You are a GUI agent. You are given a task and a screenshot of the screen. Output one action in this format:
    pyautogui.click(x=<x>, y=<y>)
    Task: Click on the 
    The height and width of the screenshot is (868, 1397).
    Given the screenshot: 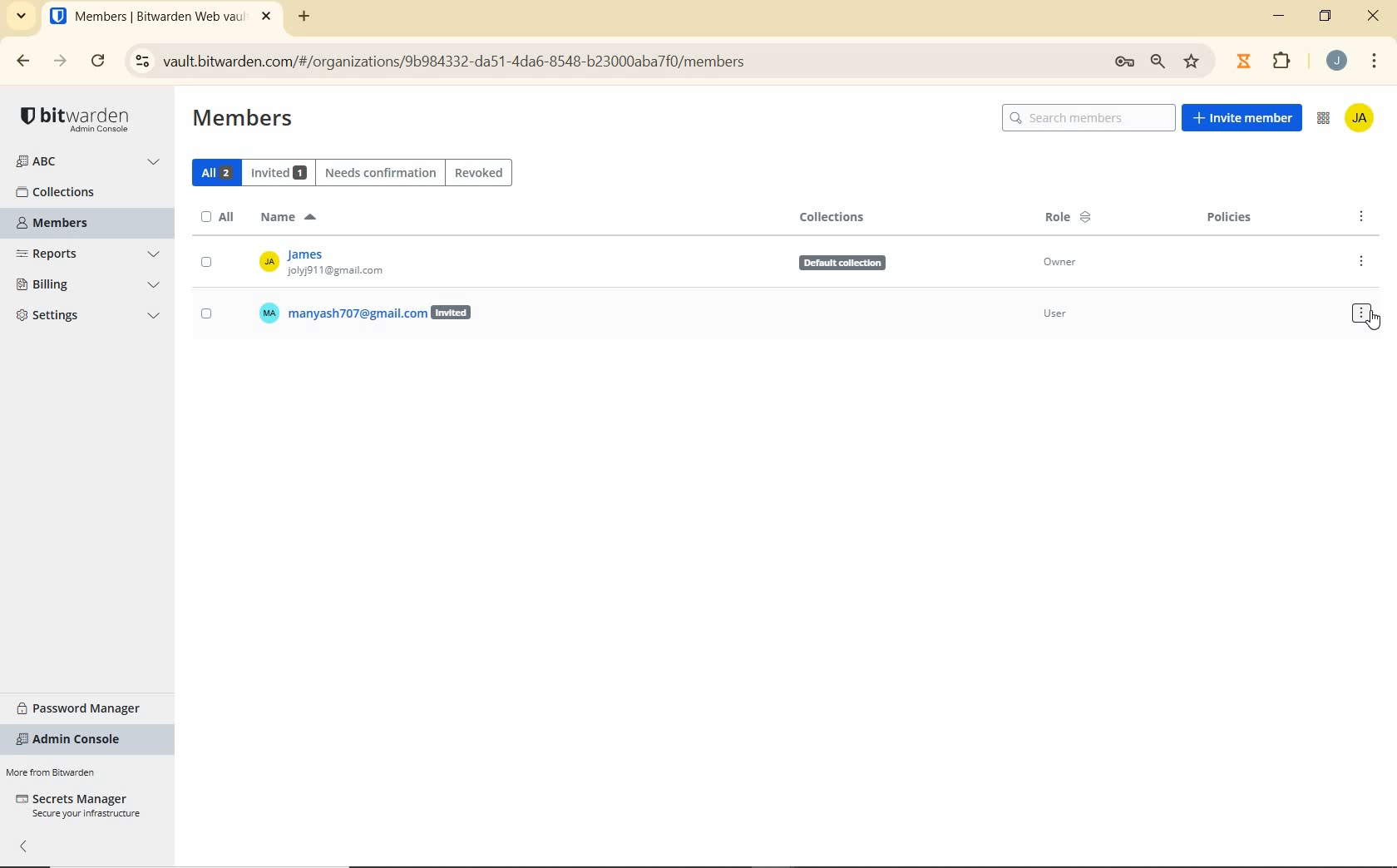 What is the action you would take?
    pyautogui.click(x=218, y=217)
    